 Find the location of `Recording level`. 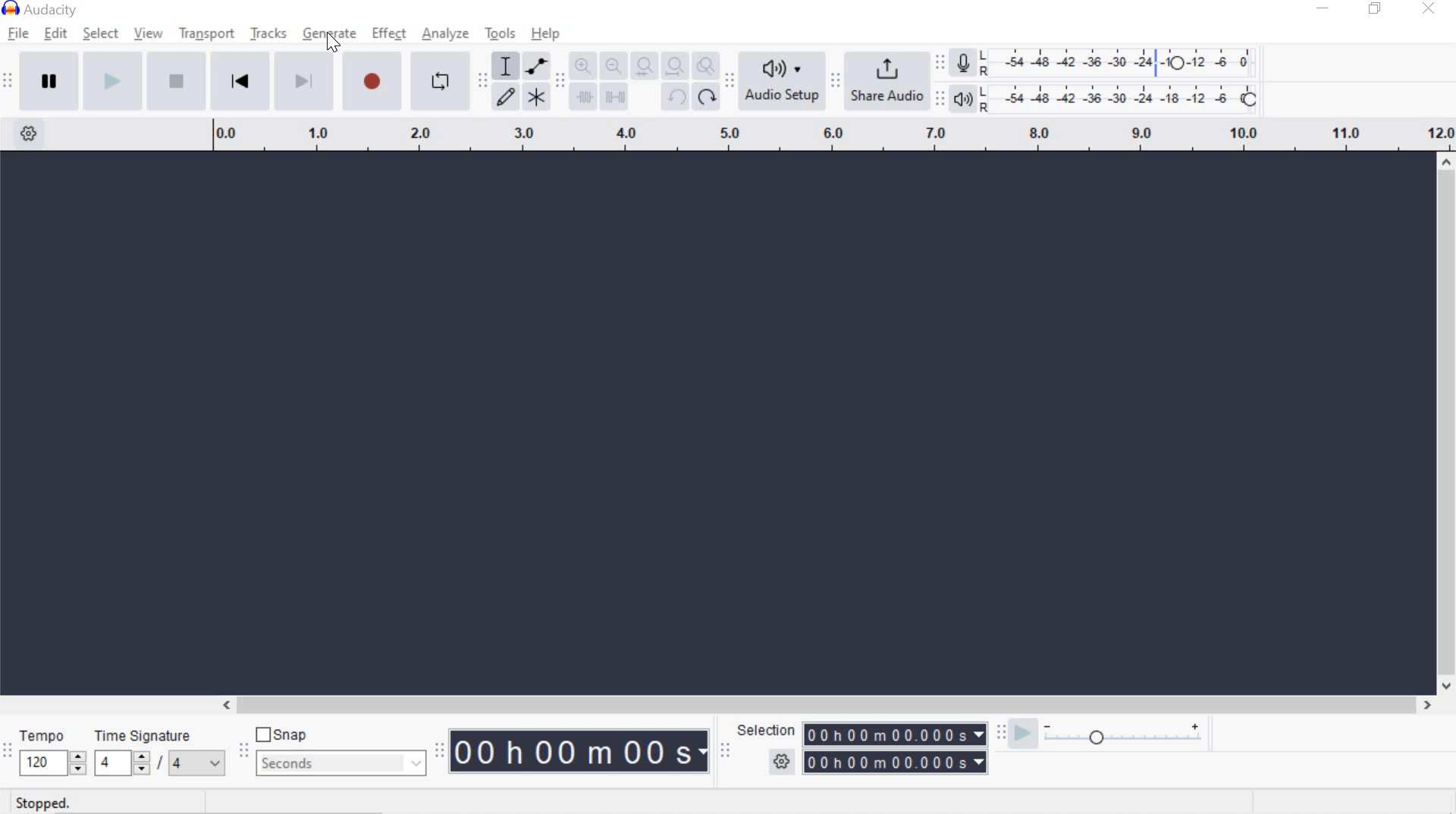

Recording level is located at coordinates (1122, 58).